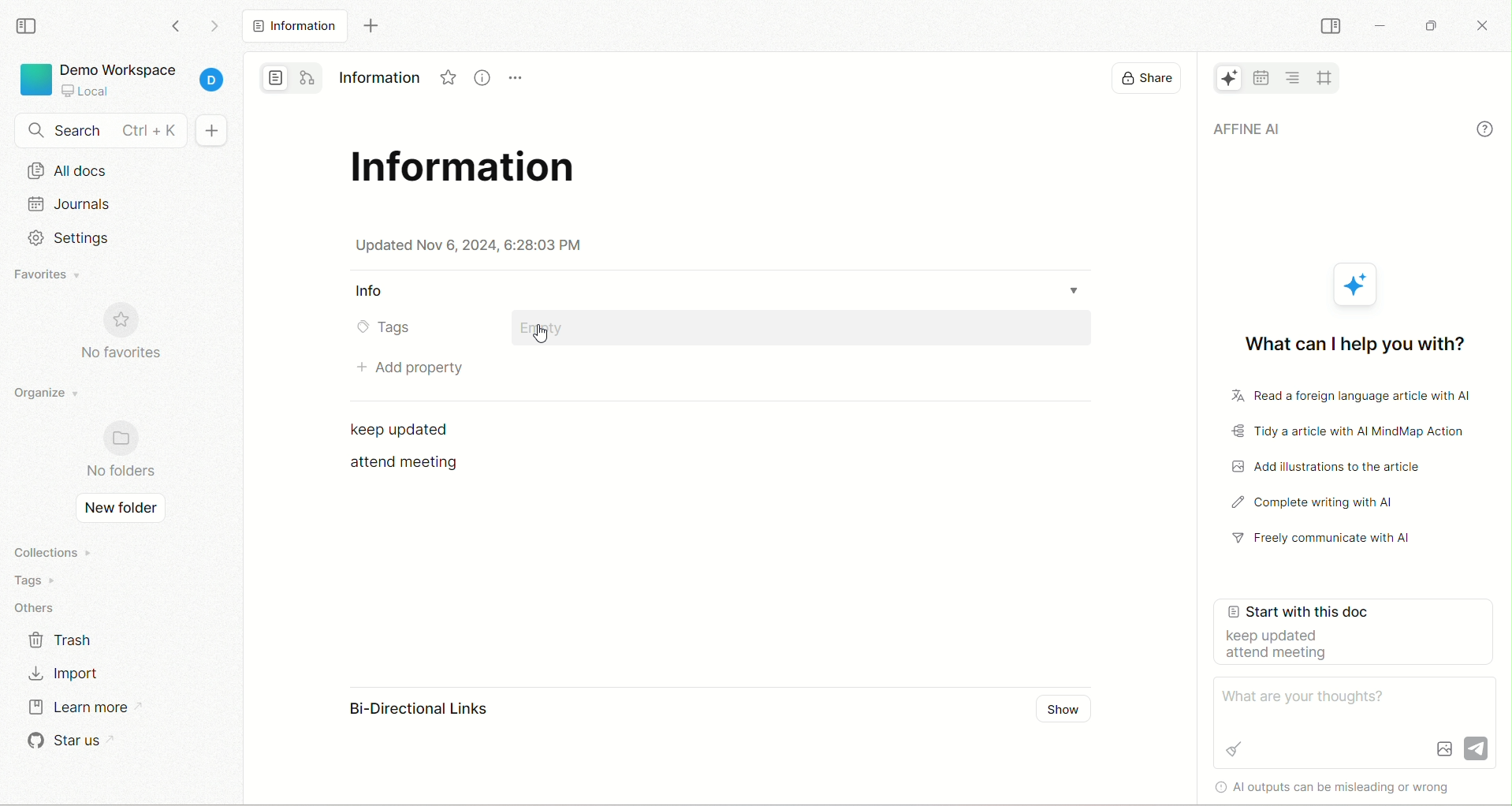 Image resolution: width=1512 pixels, height=806 pixels. Describe the element at coordinates (403, 367) in the screenshot. I see `add property` at that location.